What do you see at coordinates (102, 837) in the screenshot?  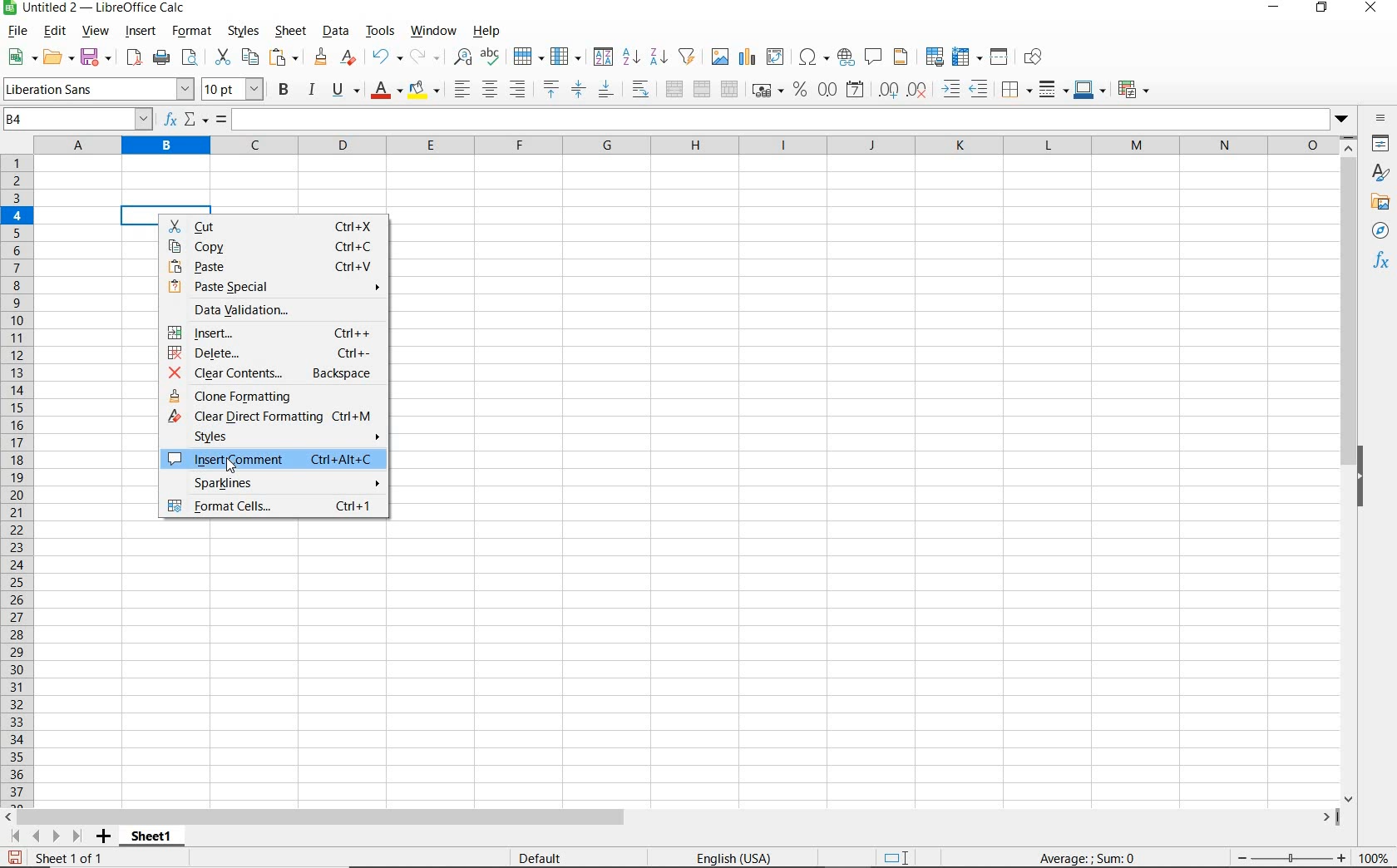 I see `add sheet` at bounding box center [102, 837].